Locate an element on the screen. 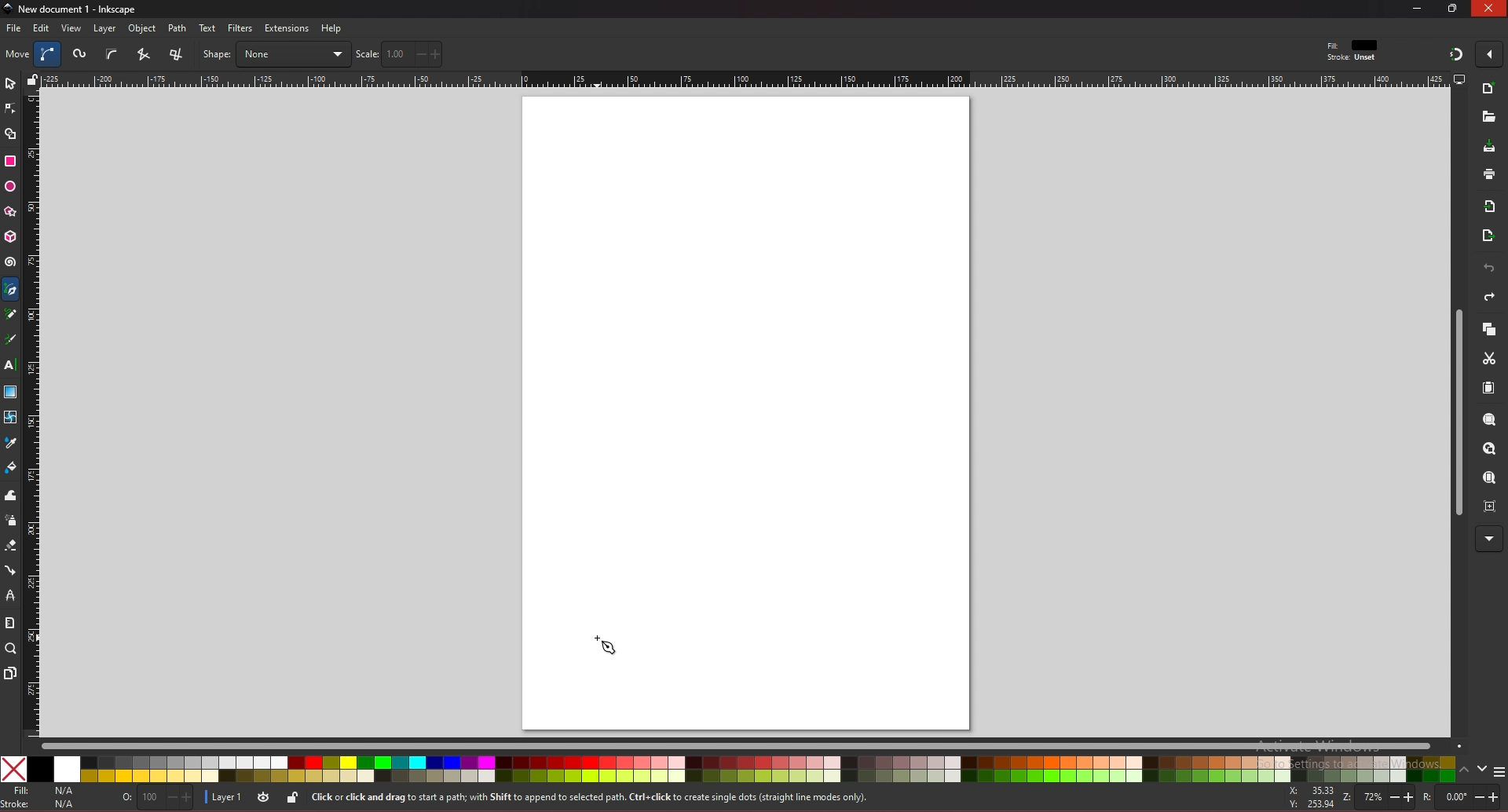 The width and height of the screenshot is (1508, 812). zoom drawing is located at coordinates (1488, 449).